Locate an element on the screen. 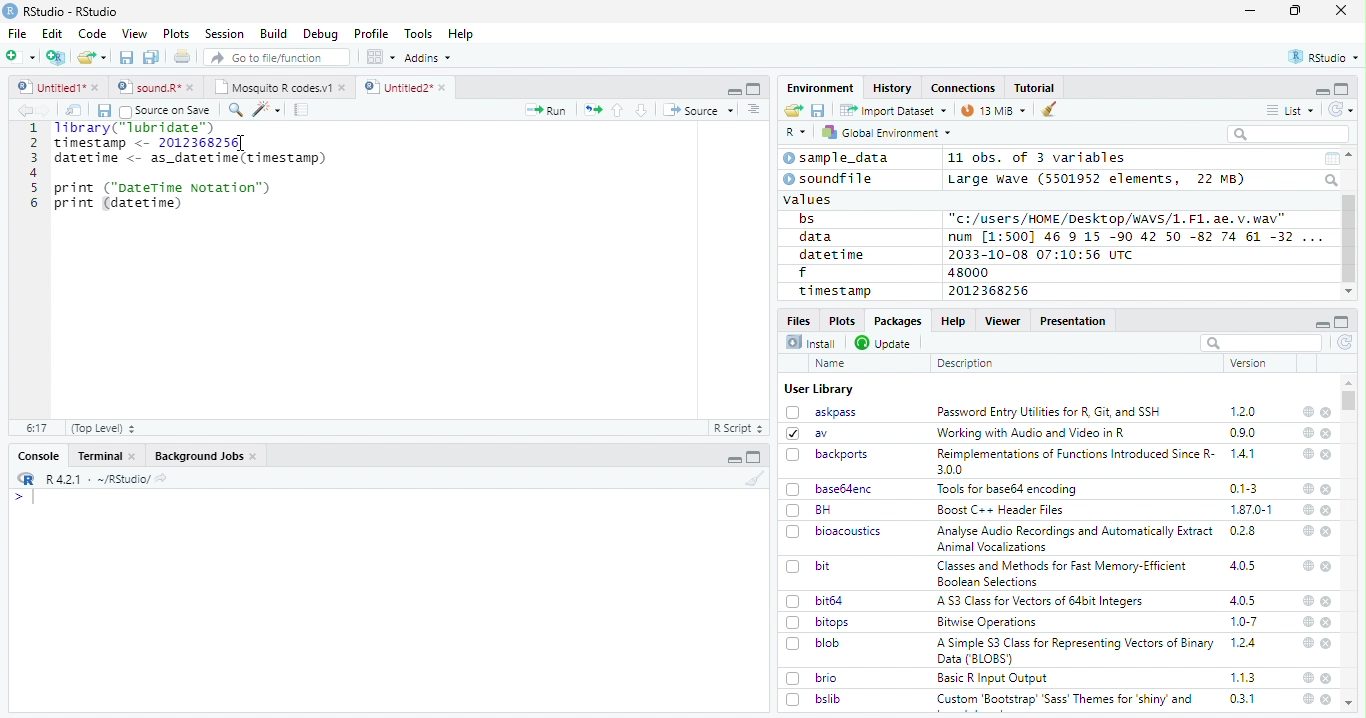 The height and width of the screenshot is (718, 1366). Mosquito R codes.v1 is located at coordinates (279, 87).